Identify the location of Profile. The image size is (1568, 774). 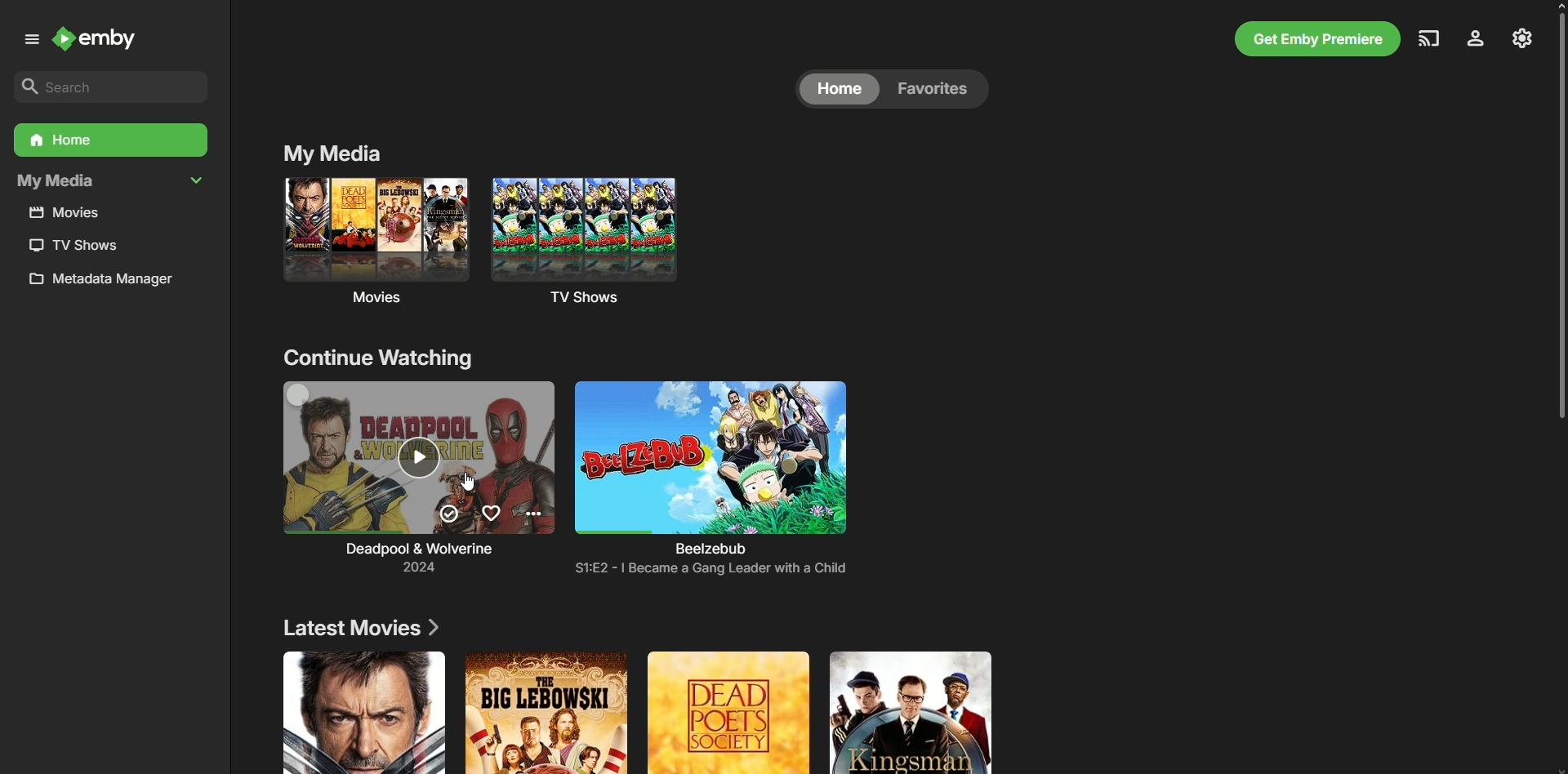
(1473, 39).